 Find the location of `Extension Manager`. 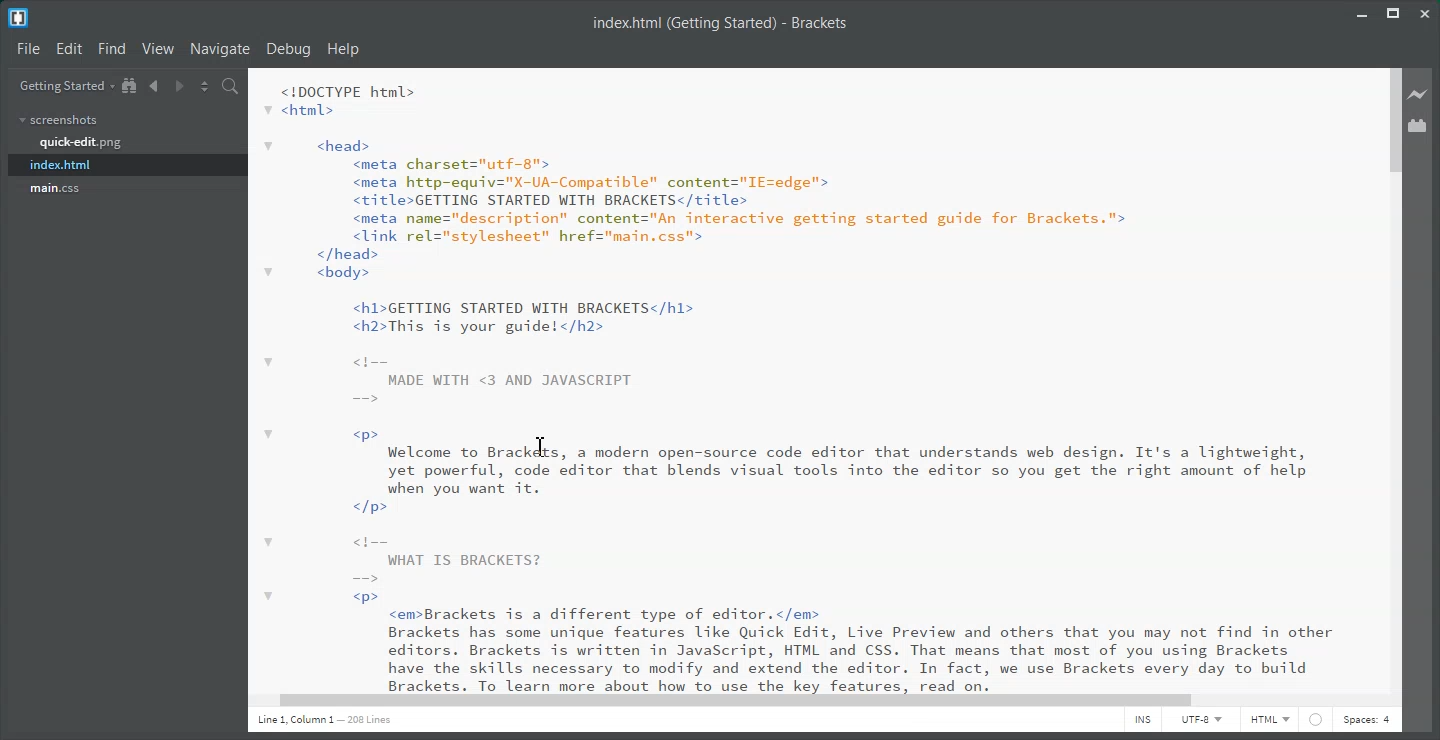

Extension Manager is located at coordinates (1424, 124).